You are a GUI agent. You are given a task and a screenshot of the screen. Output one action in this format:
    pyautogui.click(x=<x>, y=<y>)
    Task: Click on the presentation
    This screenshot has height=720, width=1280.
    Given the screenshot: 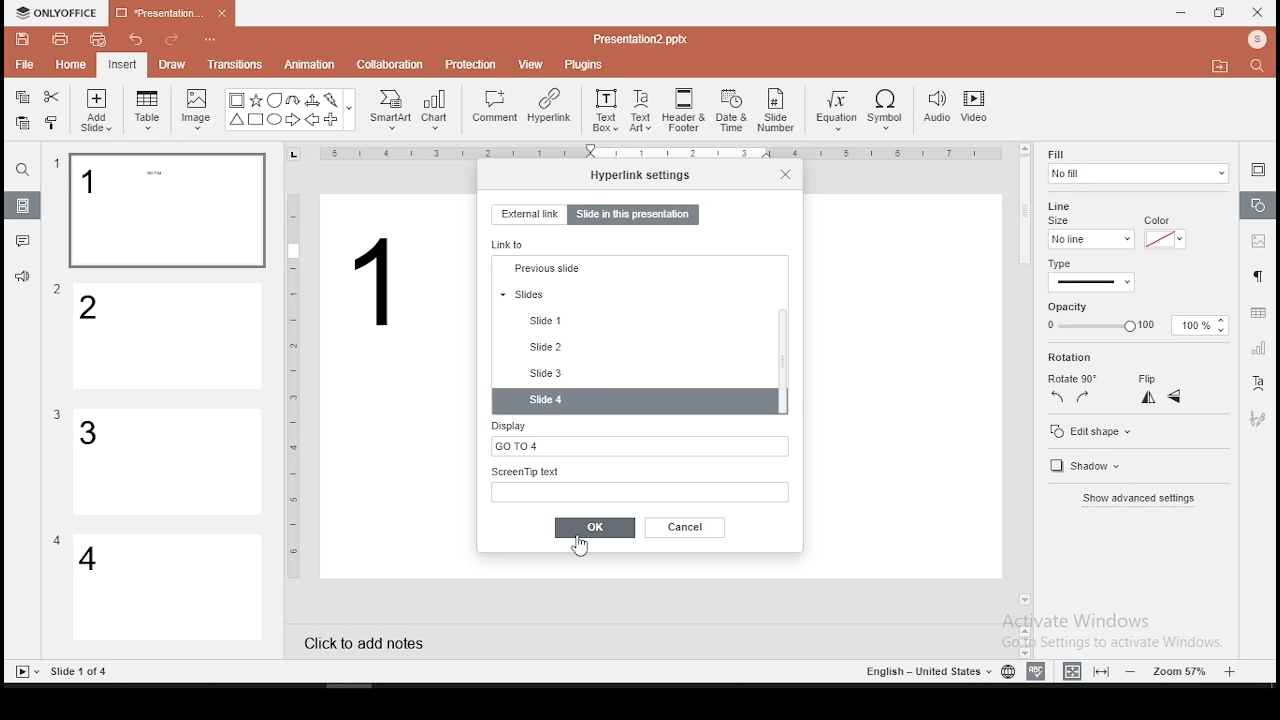 What is the action you would take?
    pyautogui.click(x=169, y=15)
    